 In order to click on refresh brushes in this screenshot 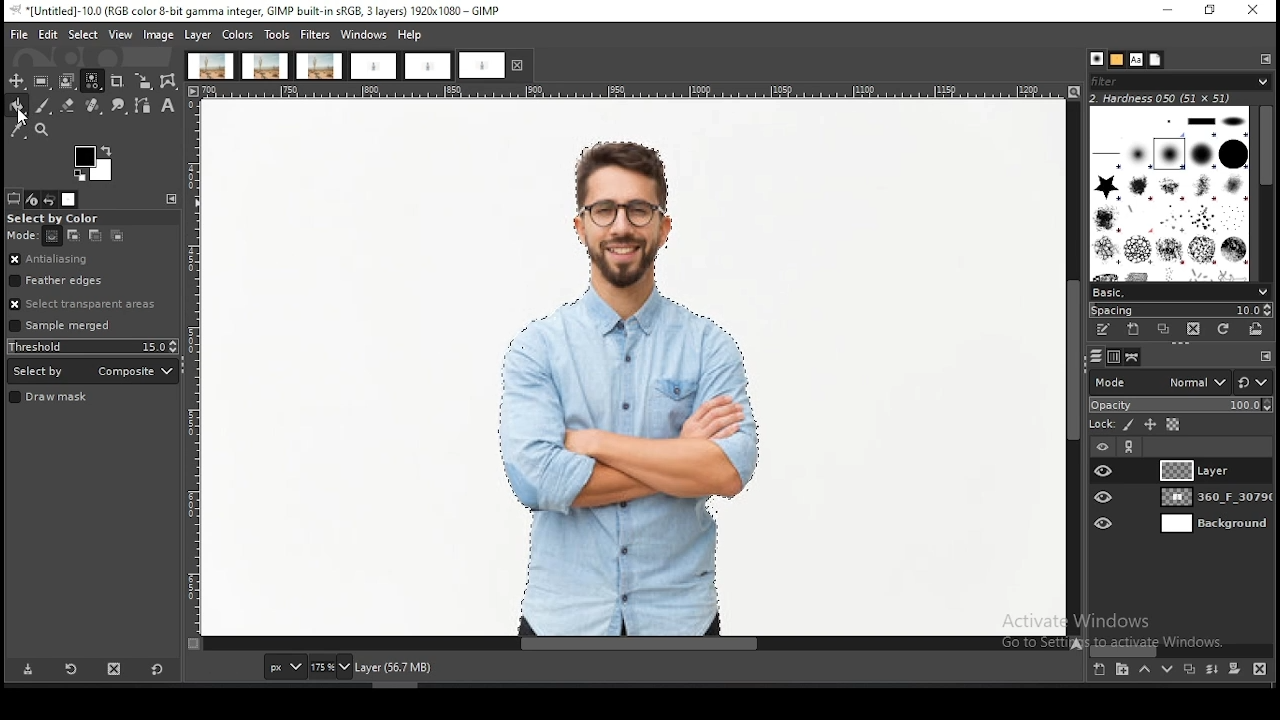, I will do `click(1221, 330)`.